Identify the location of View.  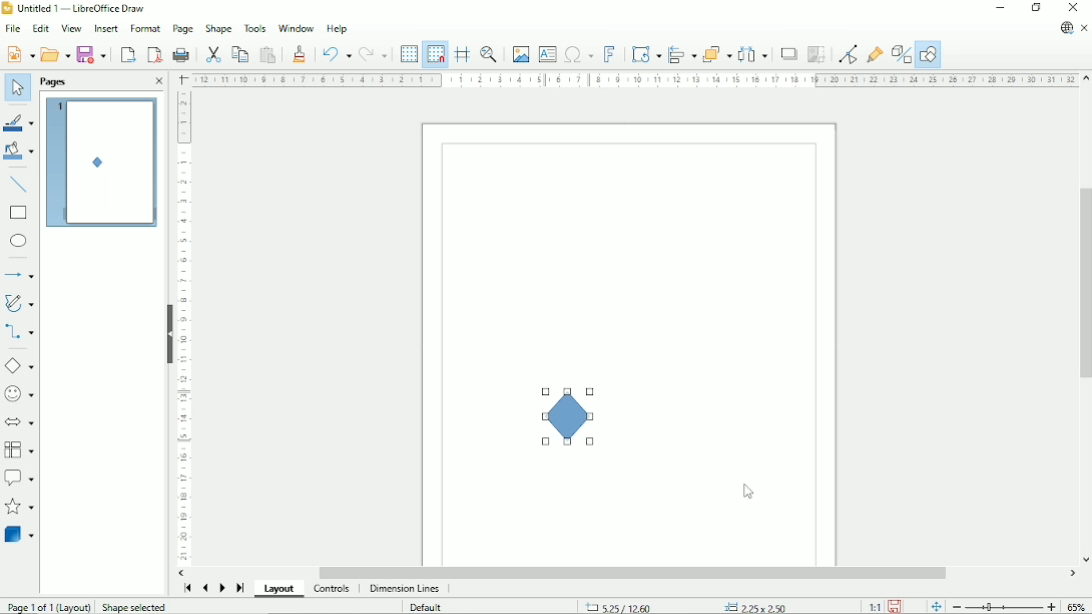
(73, 28).